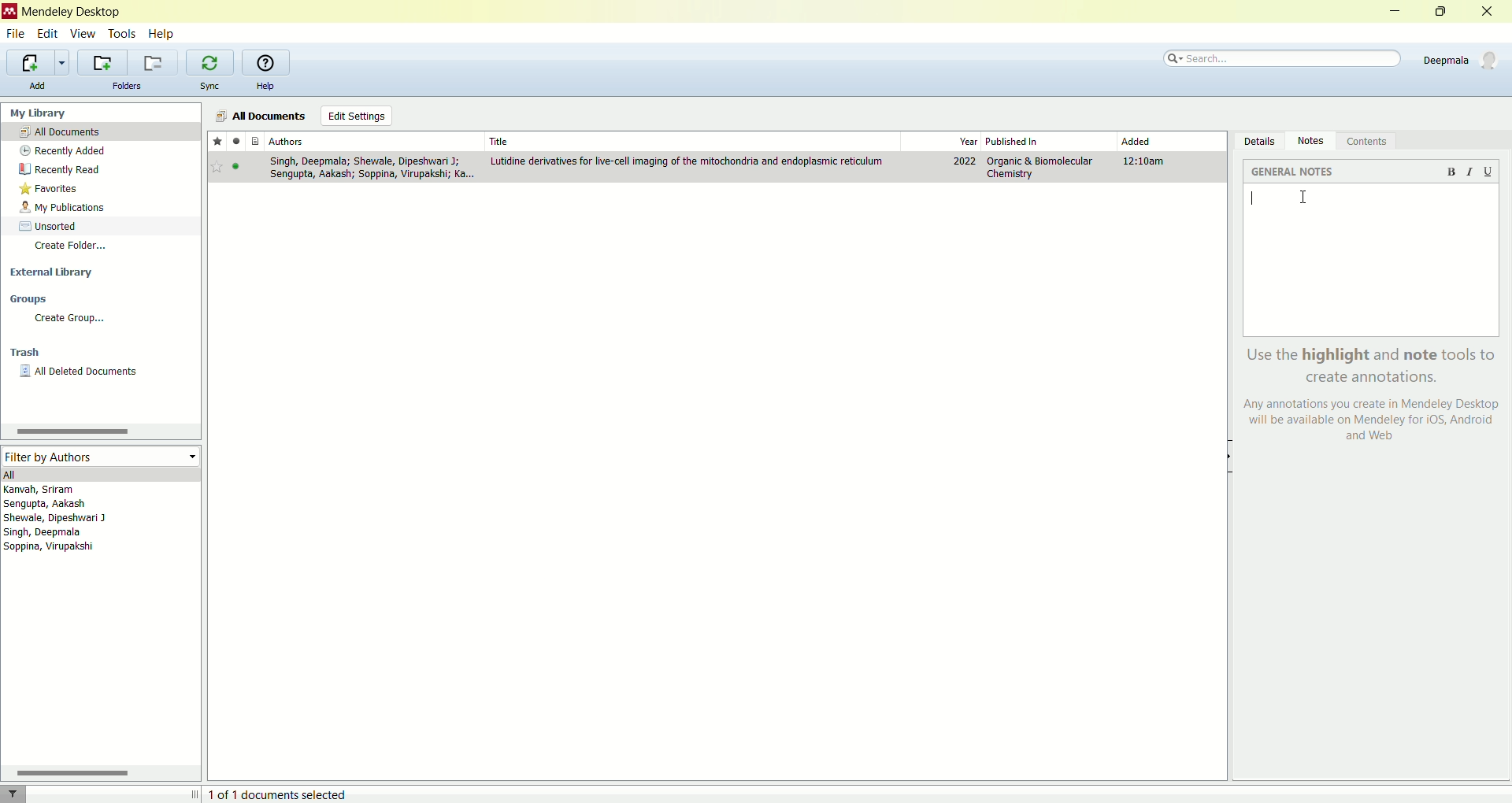 This screenshot has width=1512, height=803. Describe the element at coordinates (1294, 173) in the screenshot. I see `general notes` at that location.